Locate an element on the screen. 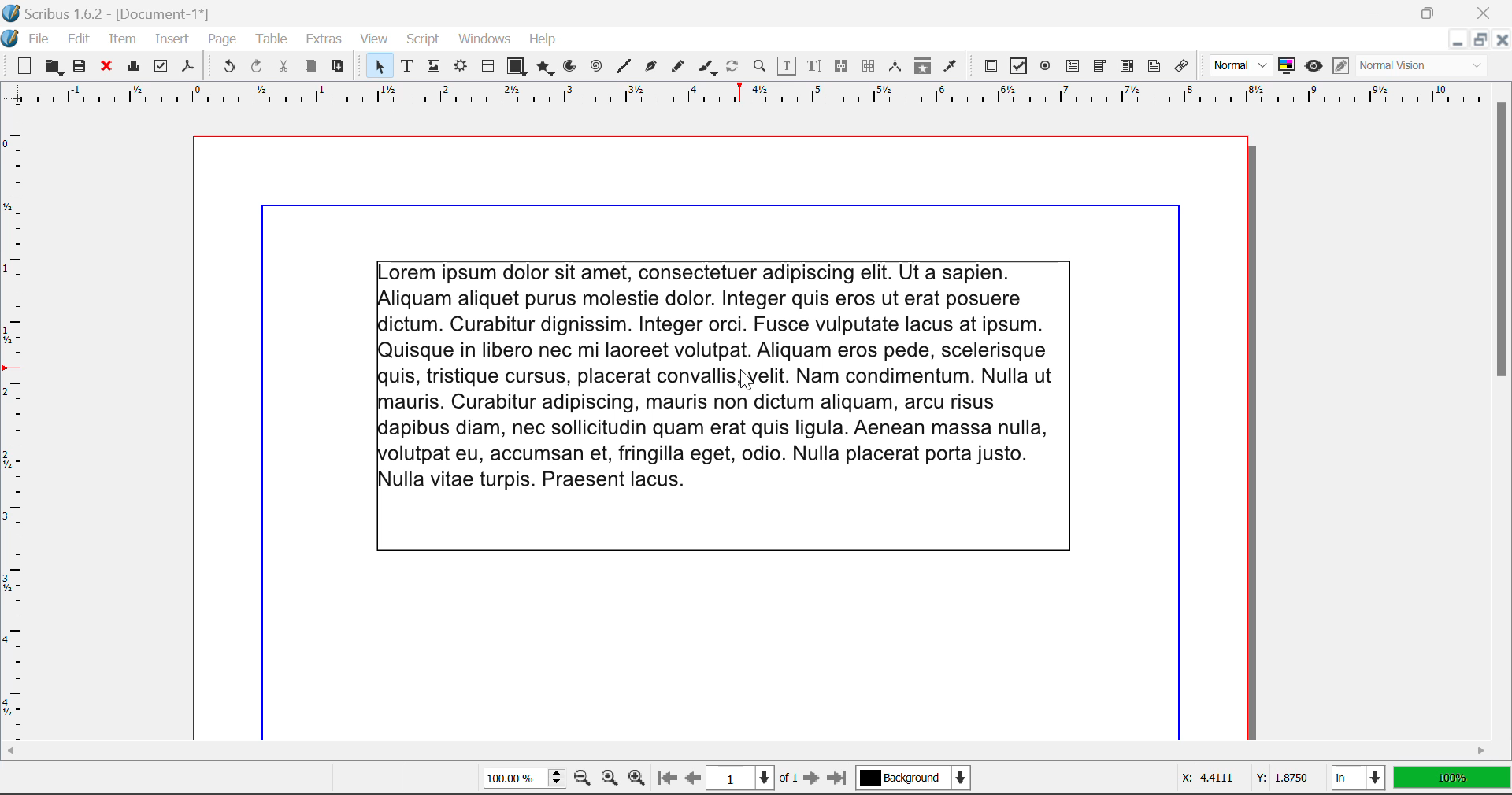 The image size is (1512, 795). Background is located at coordinates (917, 780).